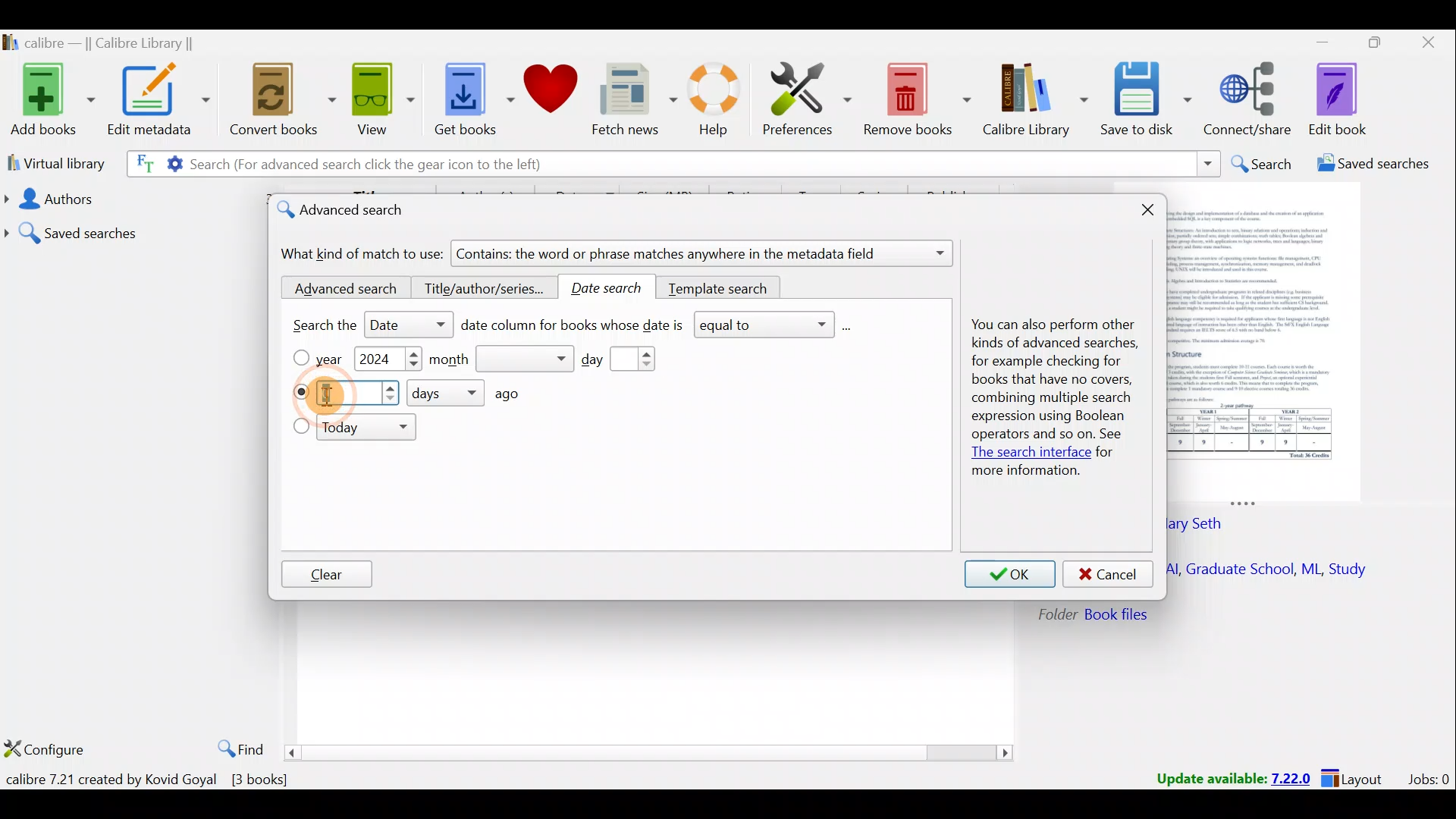 The image size is (1456, 819). Describe the element at coordinates (363, 254) in the screenshot. I see `What kind of match to use:` at that location.